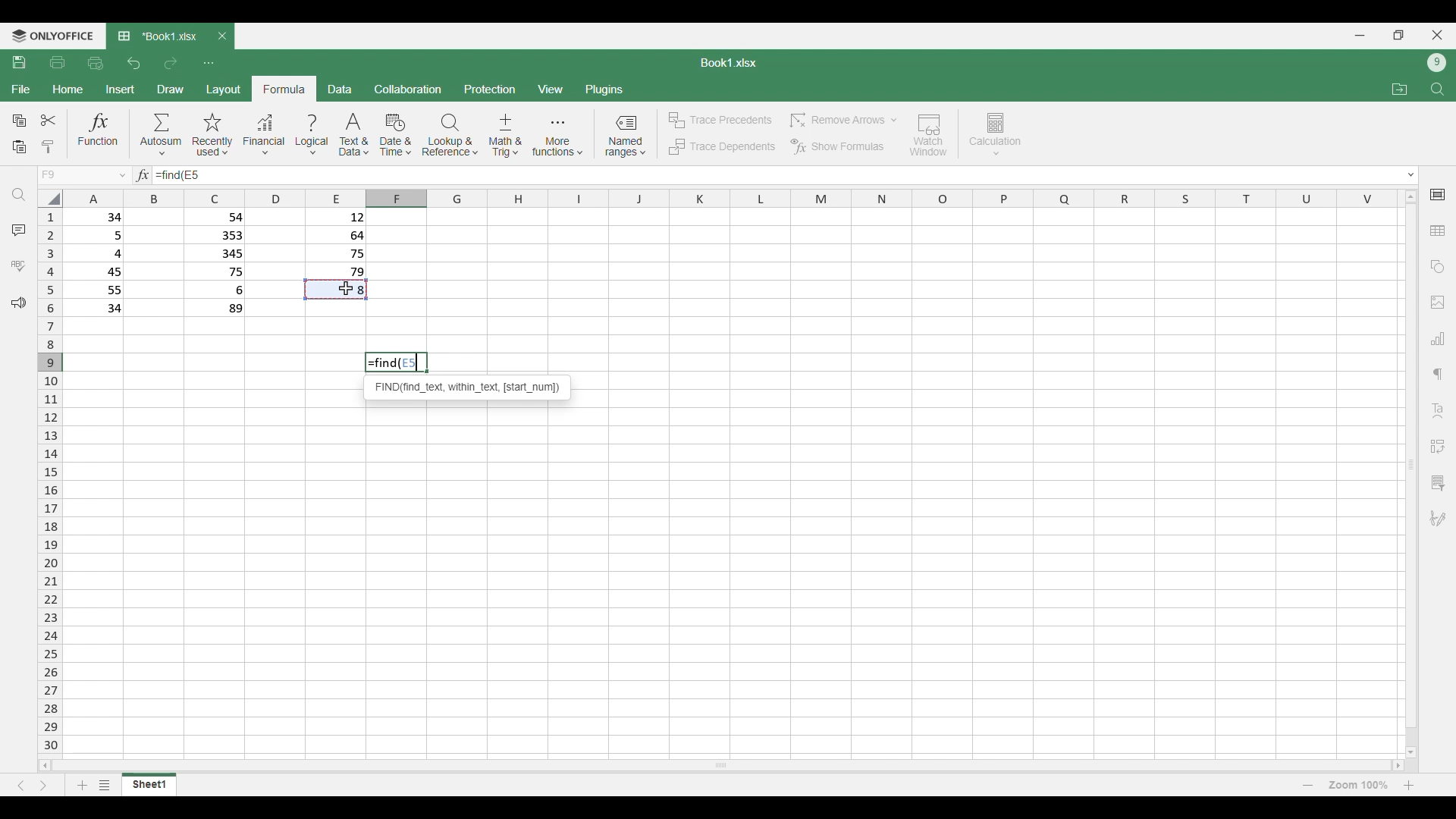  What do you see at coordinates (842, 121) in the screenshot?
I see `Remove arrow` at bounding box center [842, 121].